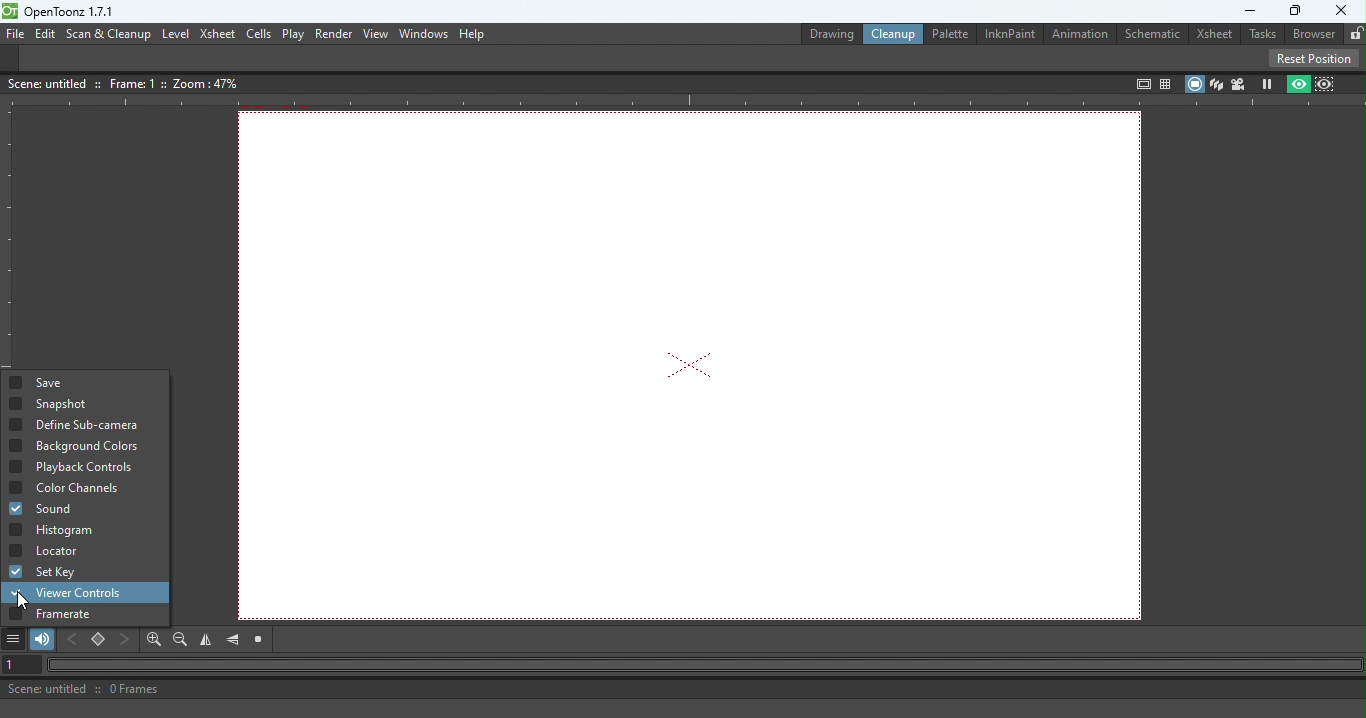 The width and height of the screenshot is (1366, 718). I want to click on Zoom out, so click(184, 641).